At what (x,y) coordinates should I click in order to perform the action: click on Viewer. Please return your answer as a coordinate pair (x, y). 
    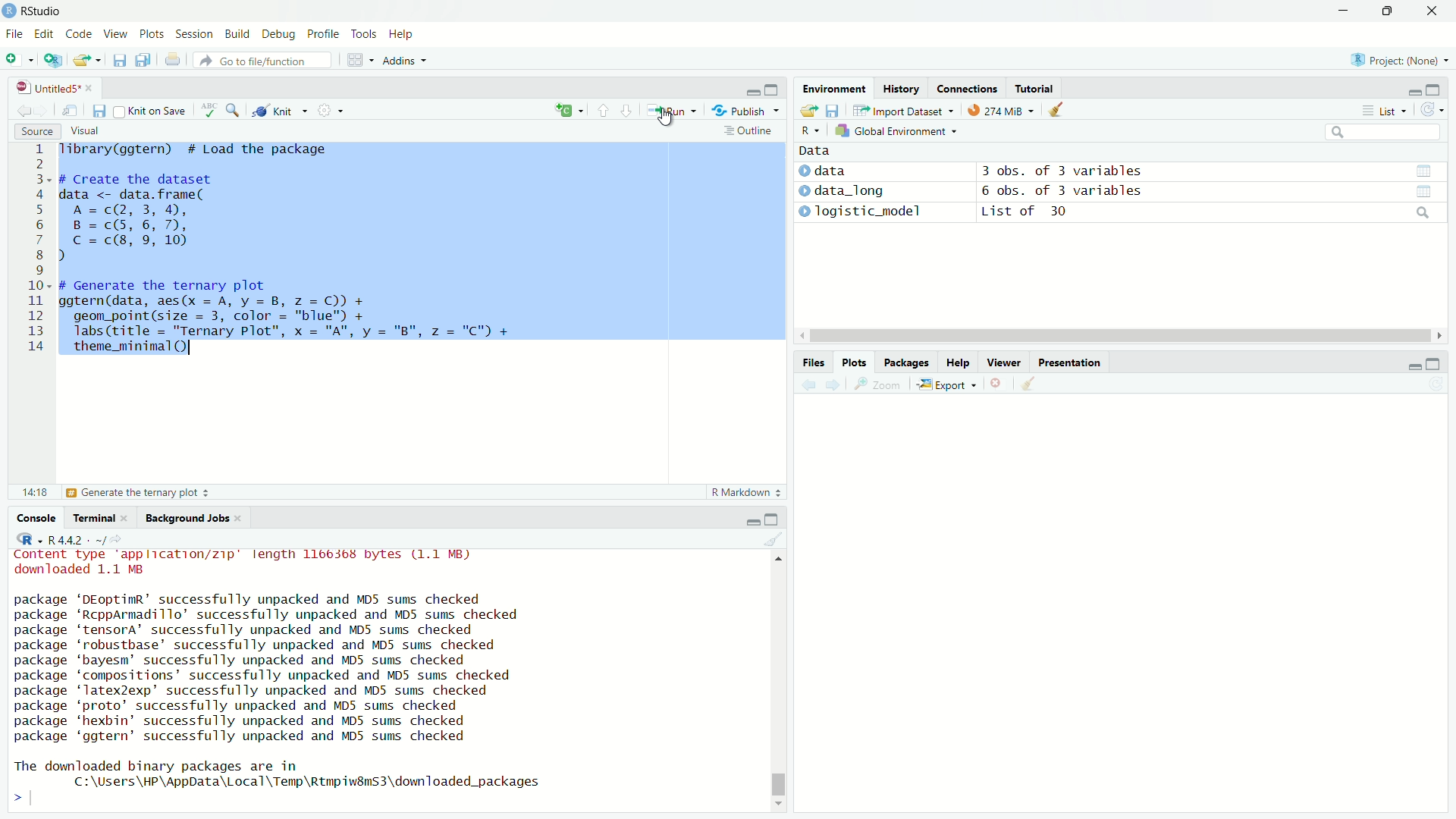
    Looking at the image, I should click on (1005, 365).